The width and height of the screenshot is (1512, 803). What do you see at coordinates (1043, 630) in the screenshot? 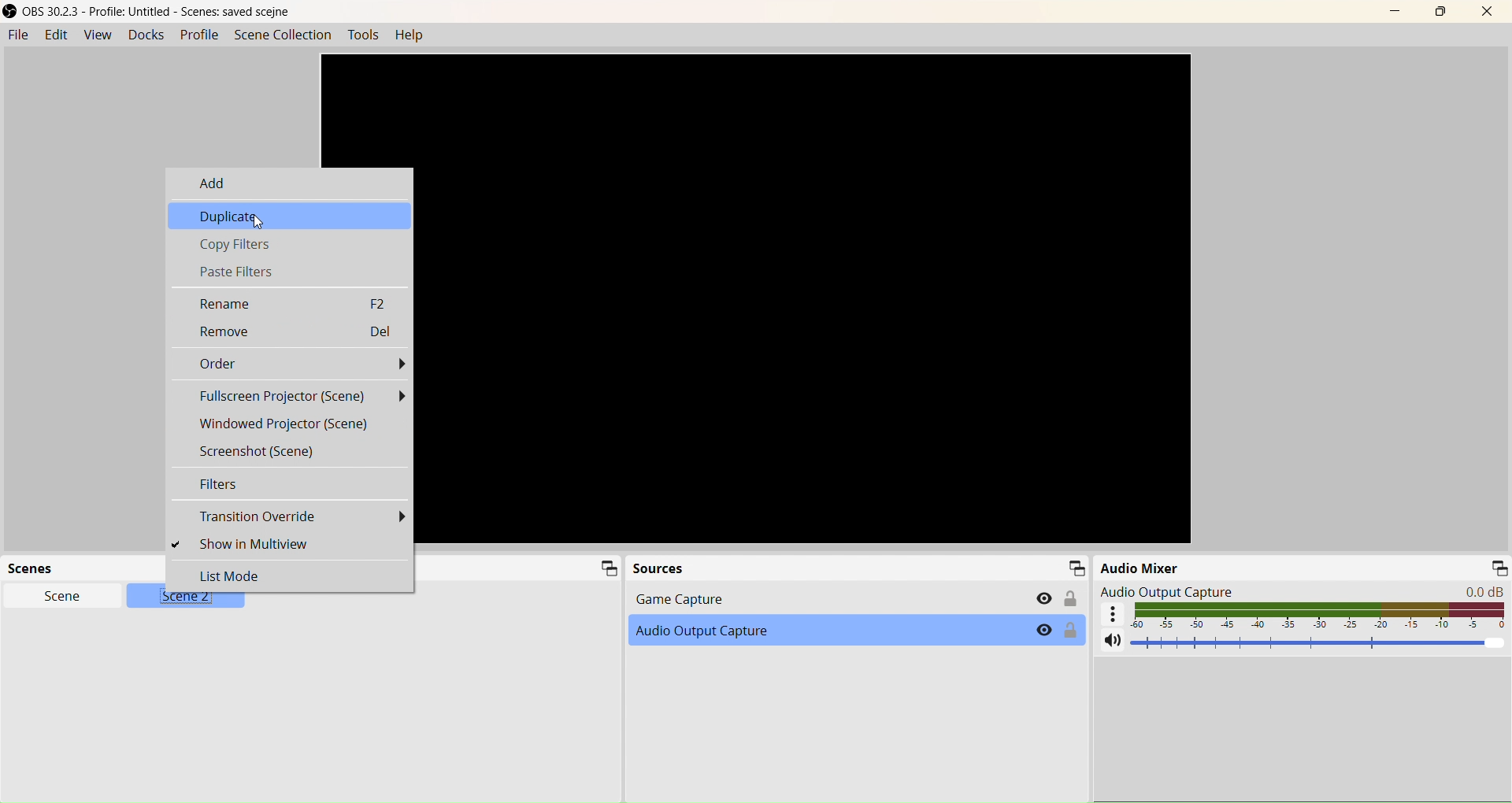
I see `Eye` at bounding box center [1043, 630].